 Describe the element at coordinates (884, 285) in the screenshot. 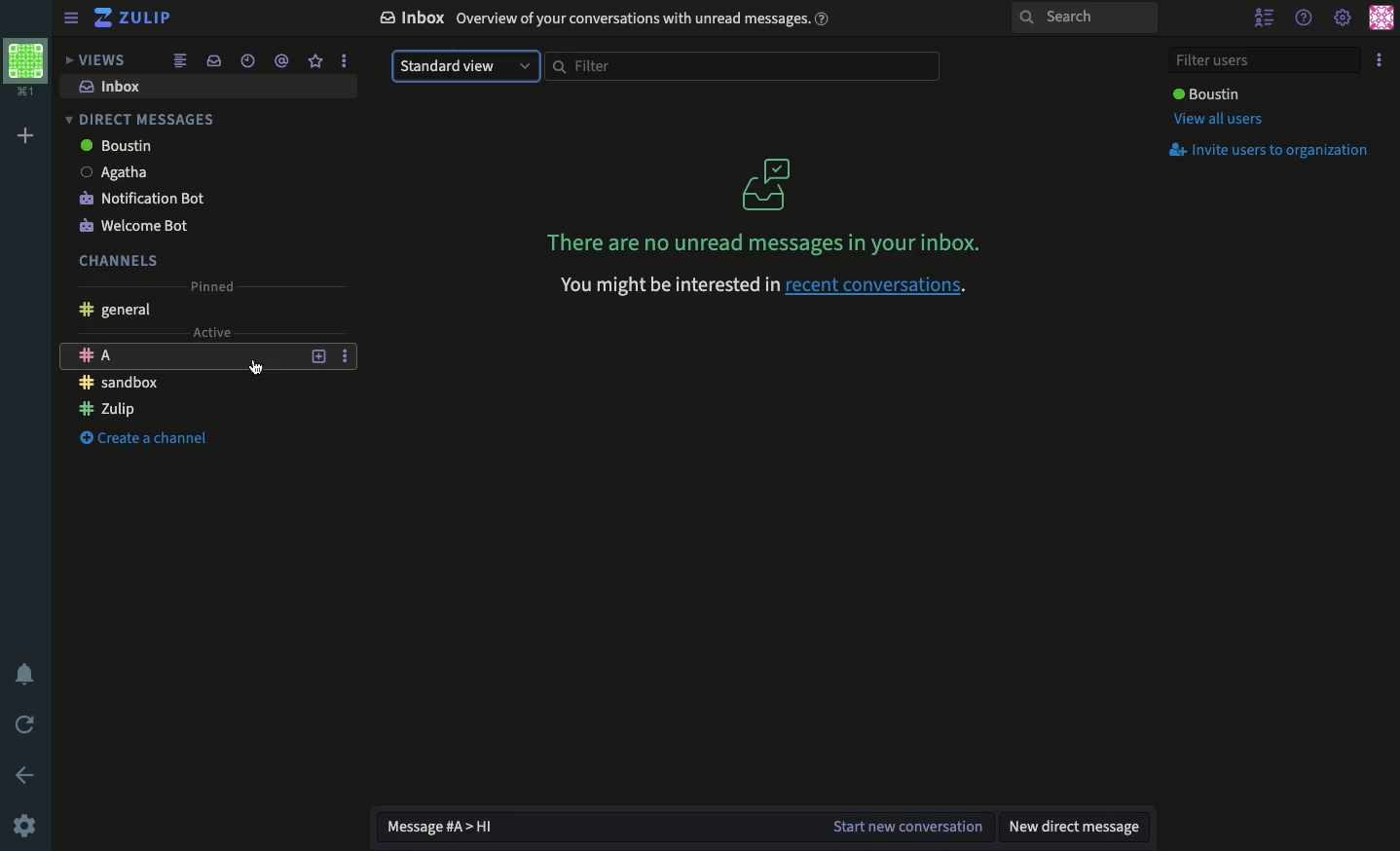

I see `Recent conversations` at that location.